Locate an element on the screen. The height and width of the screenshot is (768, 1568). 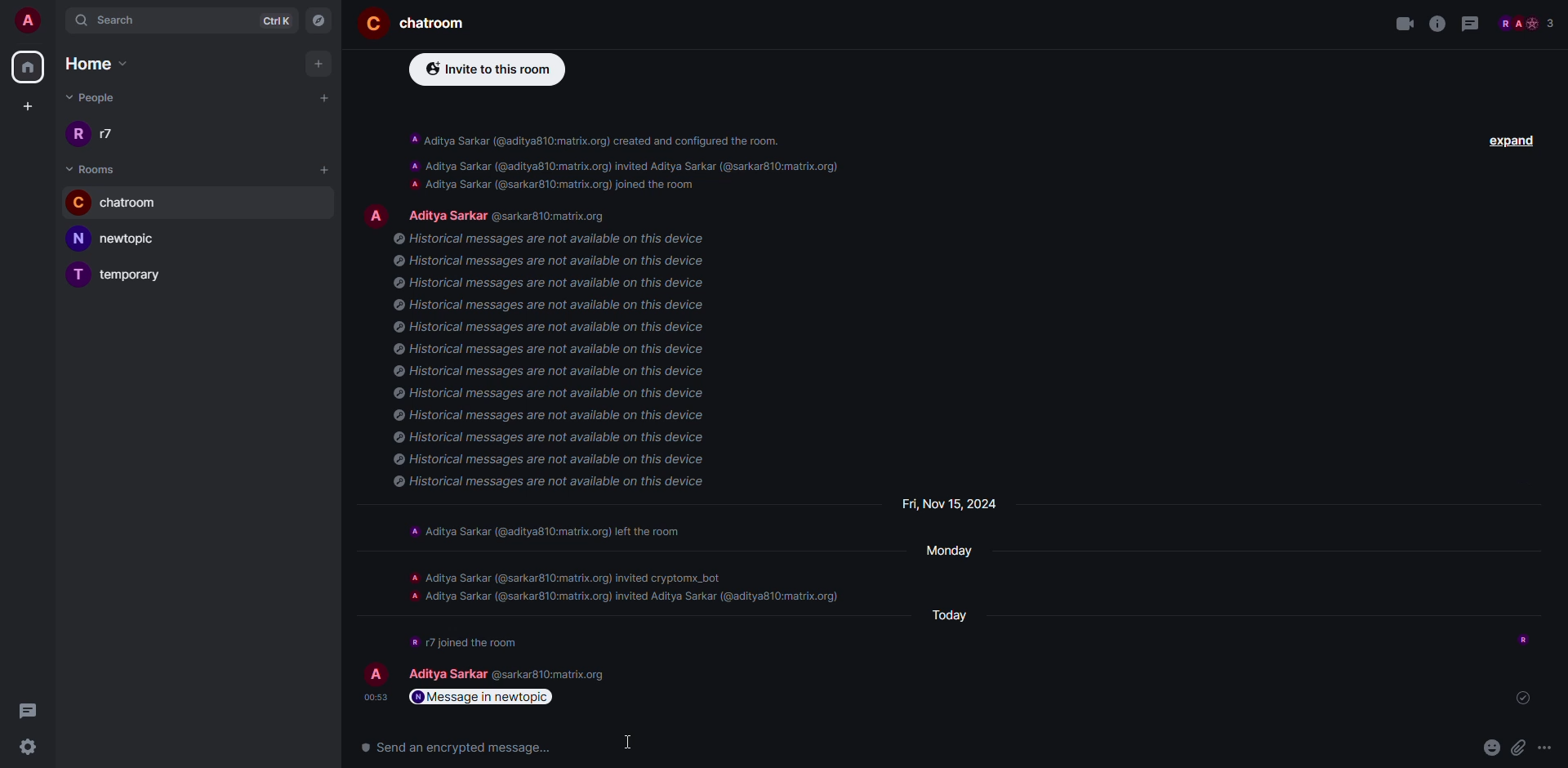
create space is located at coordinates (25, 105).